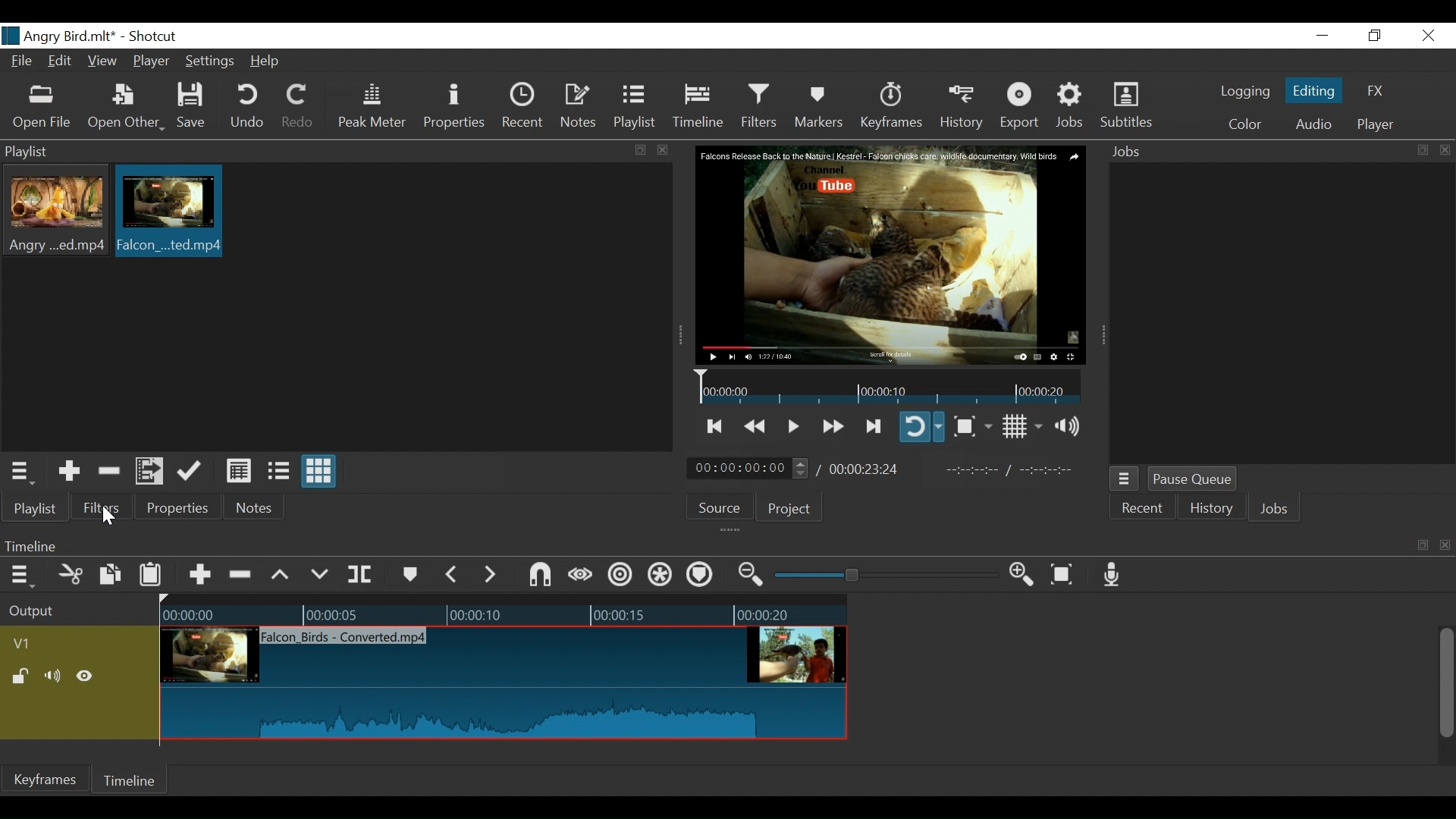 Image resolution: width=1456 pixels, height=819 pixels. What do you see at coordinates (24, 63) in the screenshot?
I see `File Name` at bounding box center [24, 63].